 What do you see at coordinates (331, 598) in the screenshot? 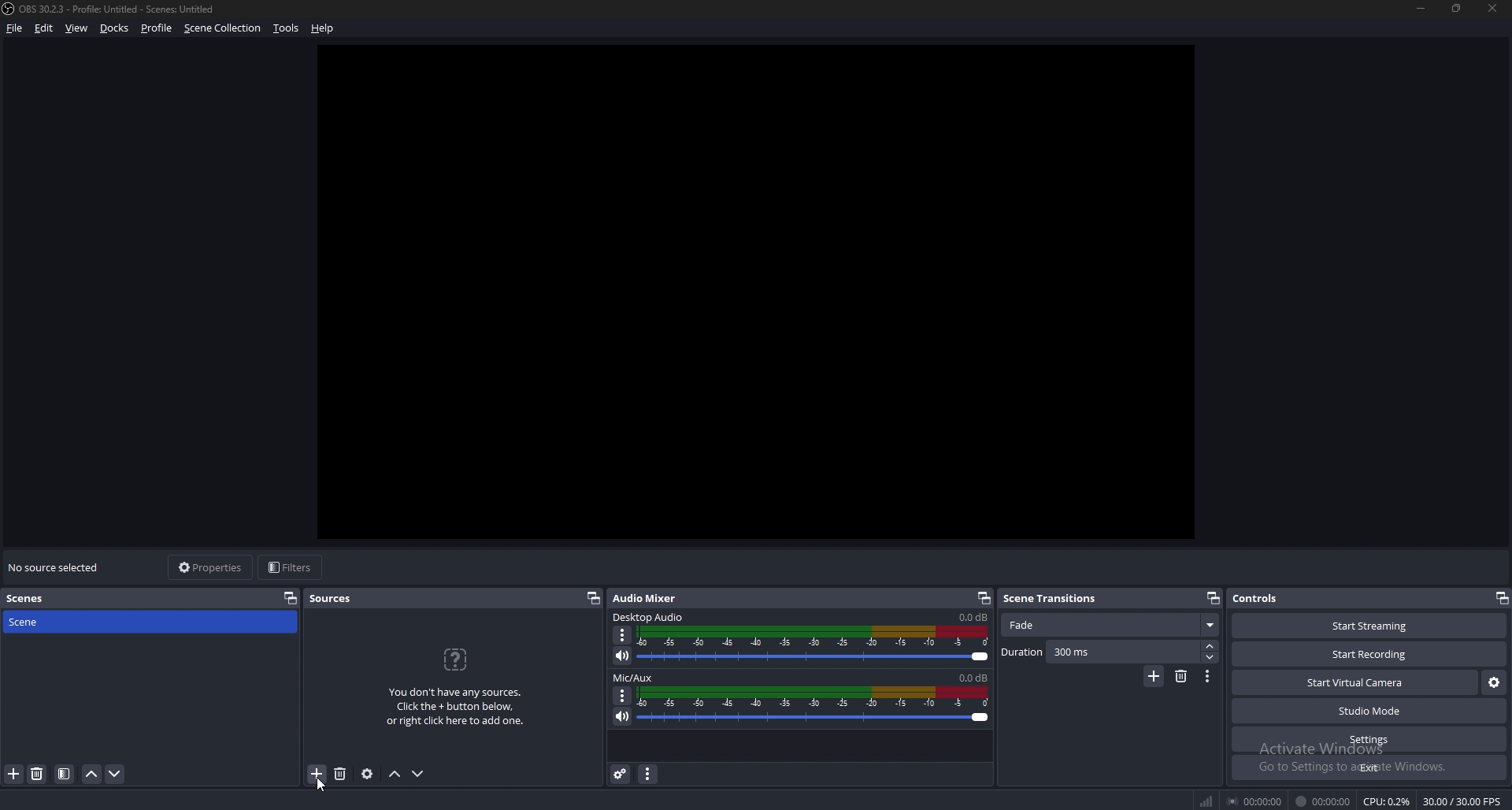
I see `Sources` at bounding box center [331, 598].